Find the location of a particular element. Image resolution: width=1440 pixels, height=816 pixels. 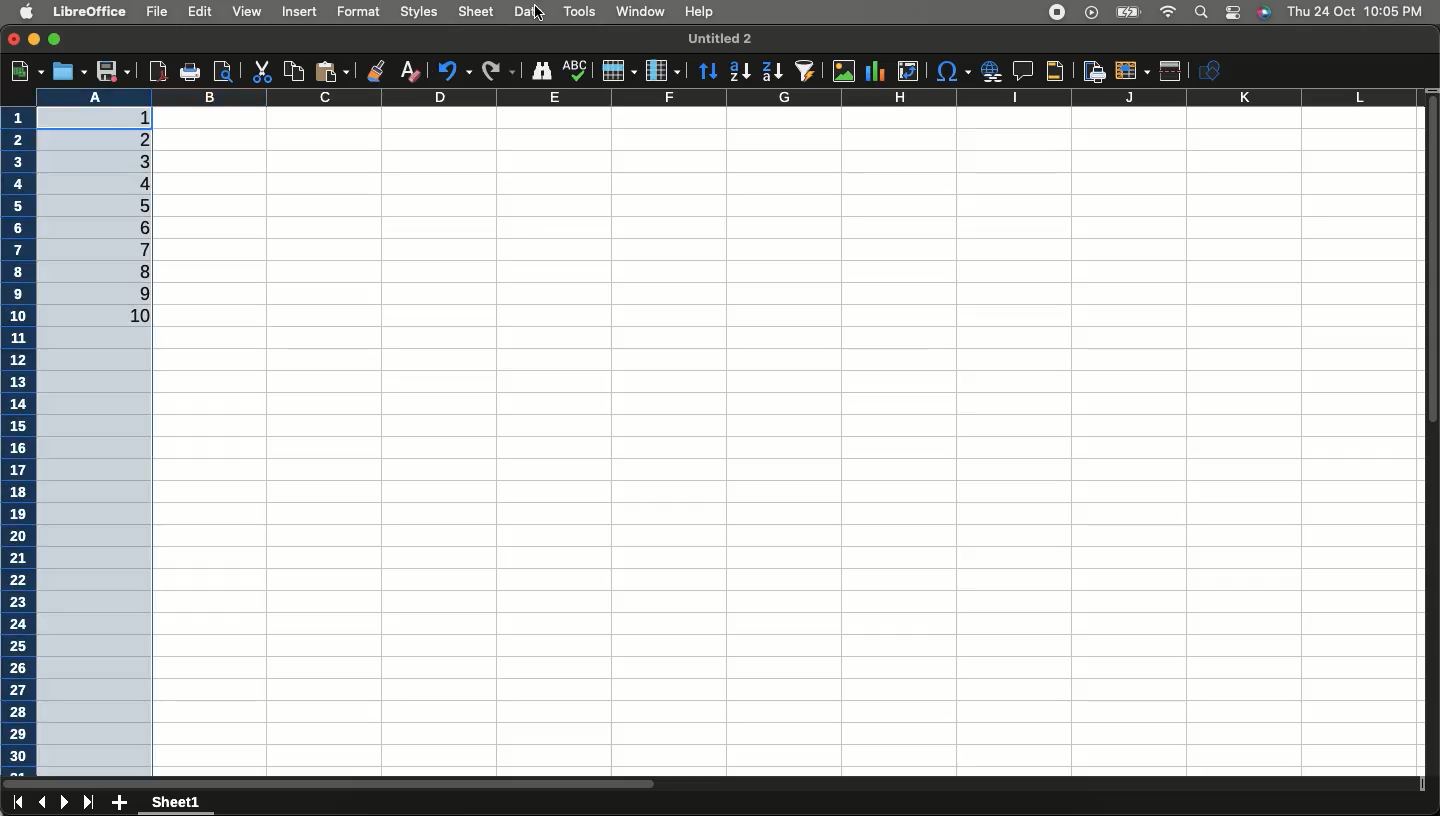

sheet1 is located at coordinates (178, 803).